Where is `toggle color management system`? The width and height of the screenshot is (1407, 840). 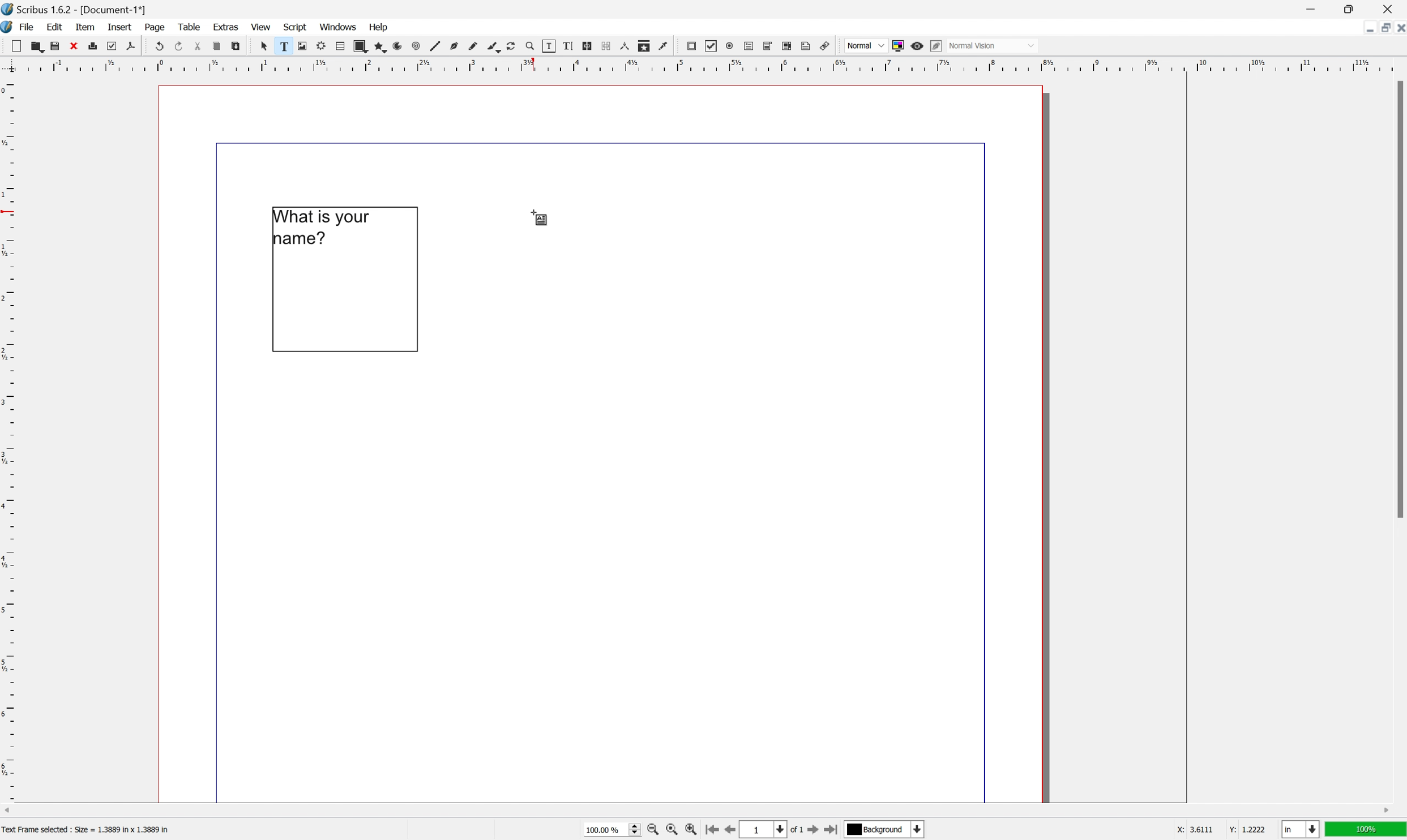
toggle color management system is located at coordinates (896, 46).